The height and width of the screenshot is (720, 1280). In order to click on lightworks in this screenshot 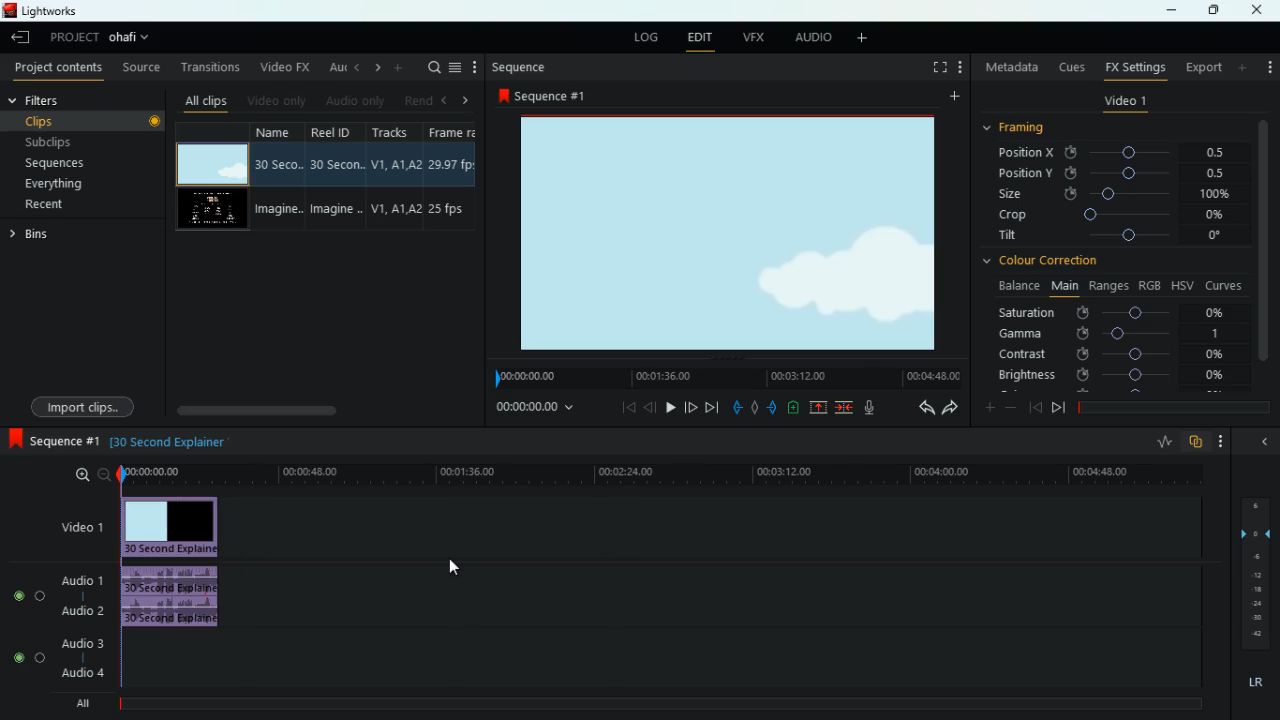, I will do `click(64, 12)`.